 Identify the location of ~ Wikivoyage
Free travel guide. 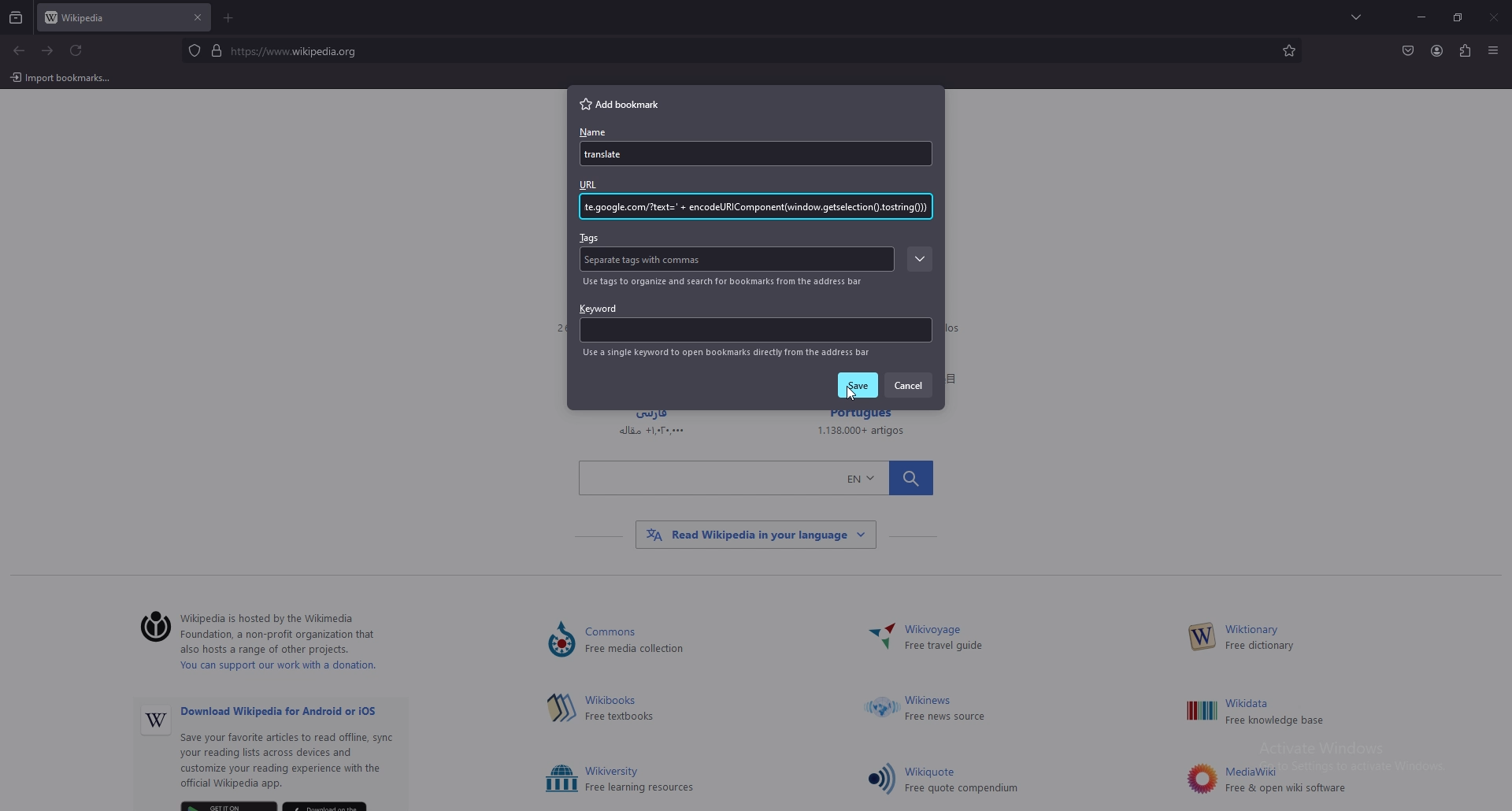
(951, 639).